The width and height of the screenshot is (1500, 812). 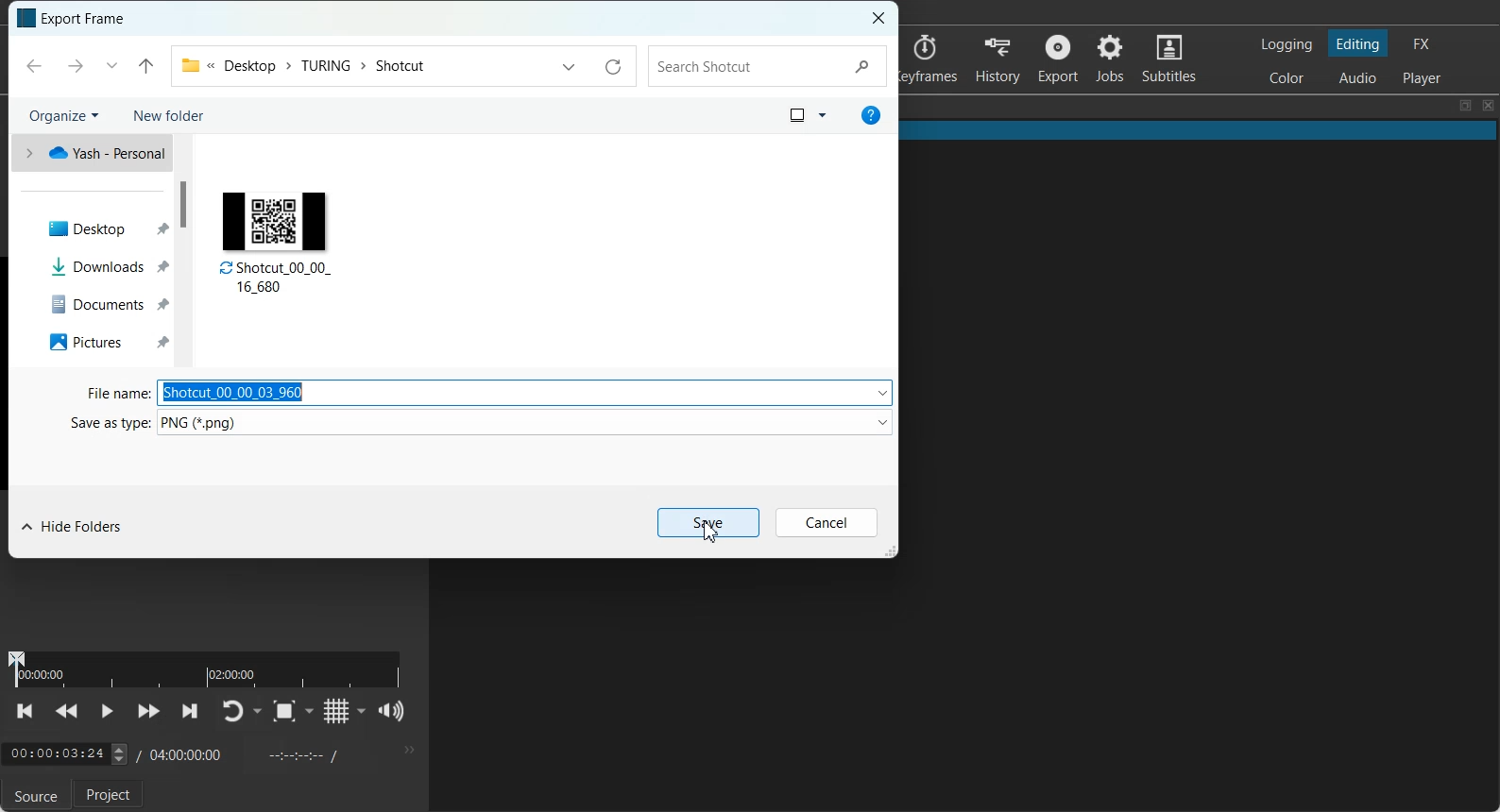 What do you see at coordinates (1286, 44) in the screenshot?
I see `Switching to Logging Layout` at bounding box center [1286, 44].